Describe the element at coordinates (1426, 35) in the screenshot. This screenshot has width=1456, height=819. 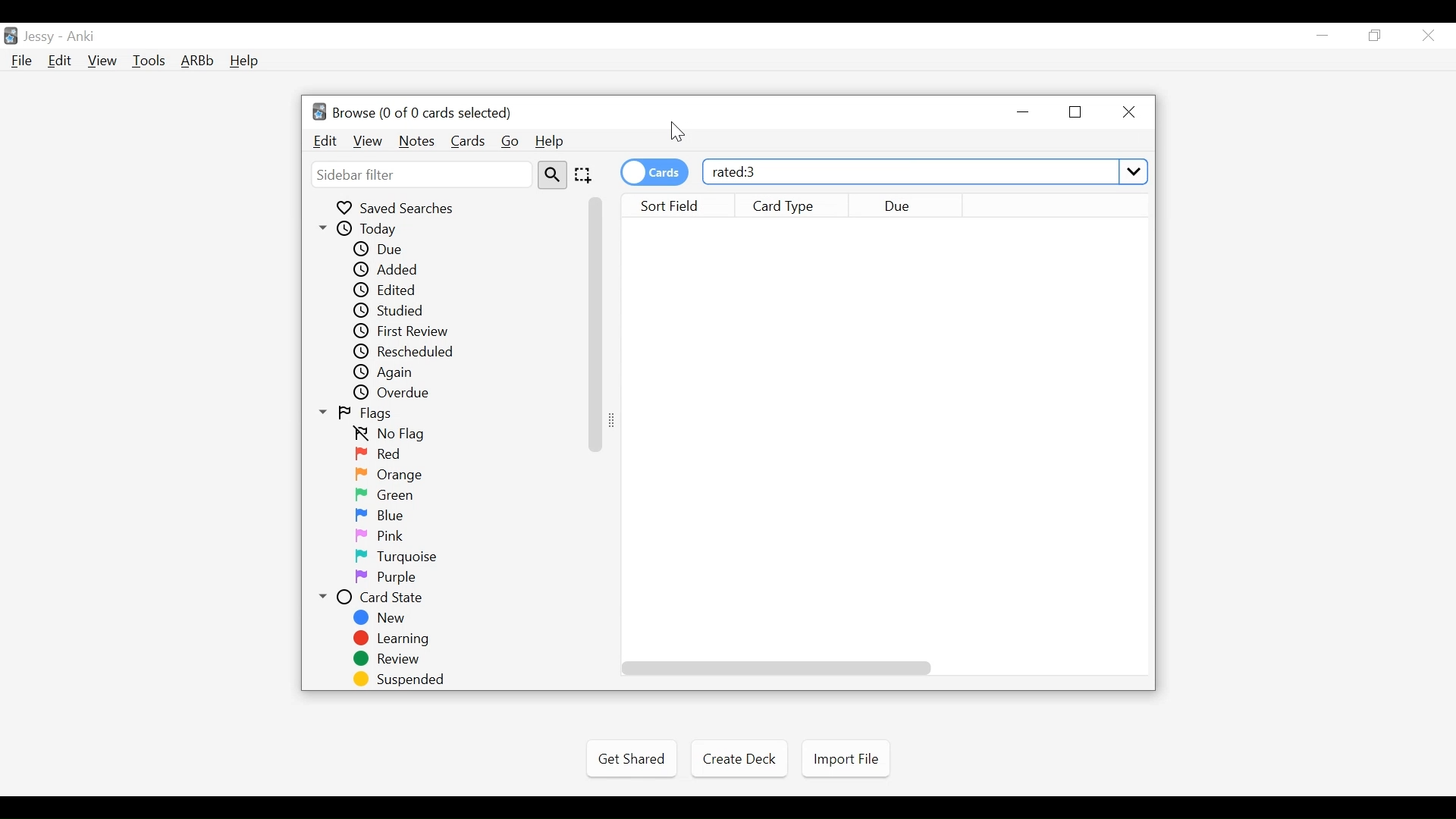
I see `Close` at that location.